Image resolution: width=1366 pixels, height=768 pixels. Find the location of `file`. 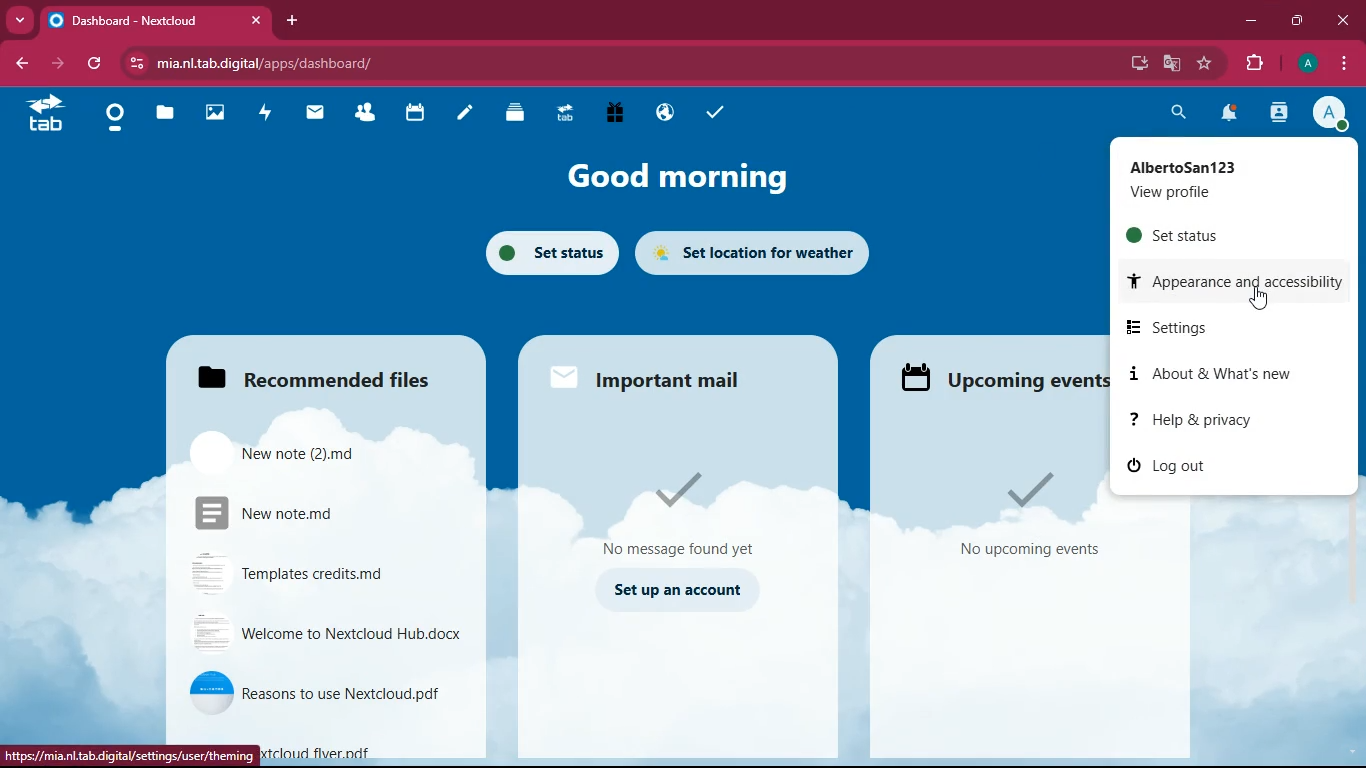

file is located at coordinates (289, 449).